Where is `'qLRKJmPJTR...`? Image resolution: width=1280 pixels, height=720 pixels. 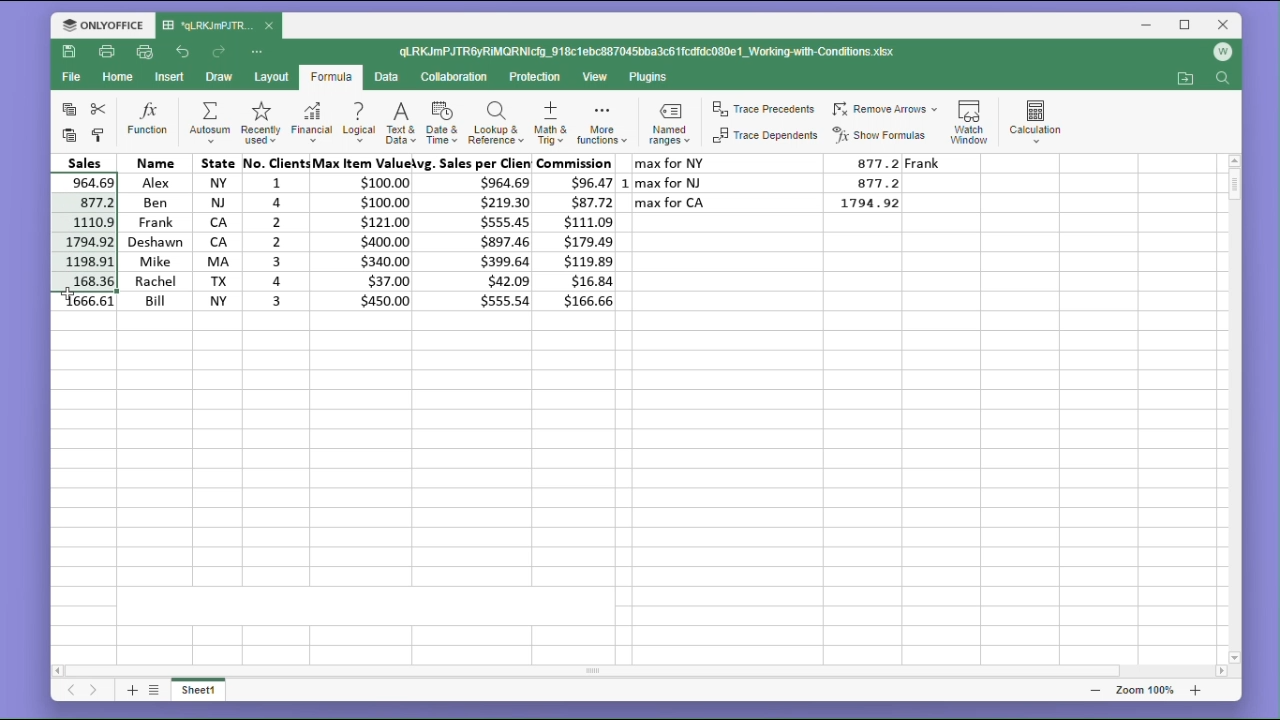 'qLRKJmPJTR... is located at coordinates (208, 25).